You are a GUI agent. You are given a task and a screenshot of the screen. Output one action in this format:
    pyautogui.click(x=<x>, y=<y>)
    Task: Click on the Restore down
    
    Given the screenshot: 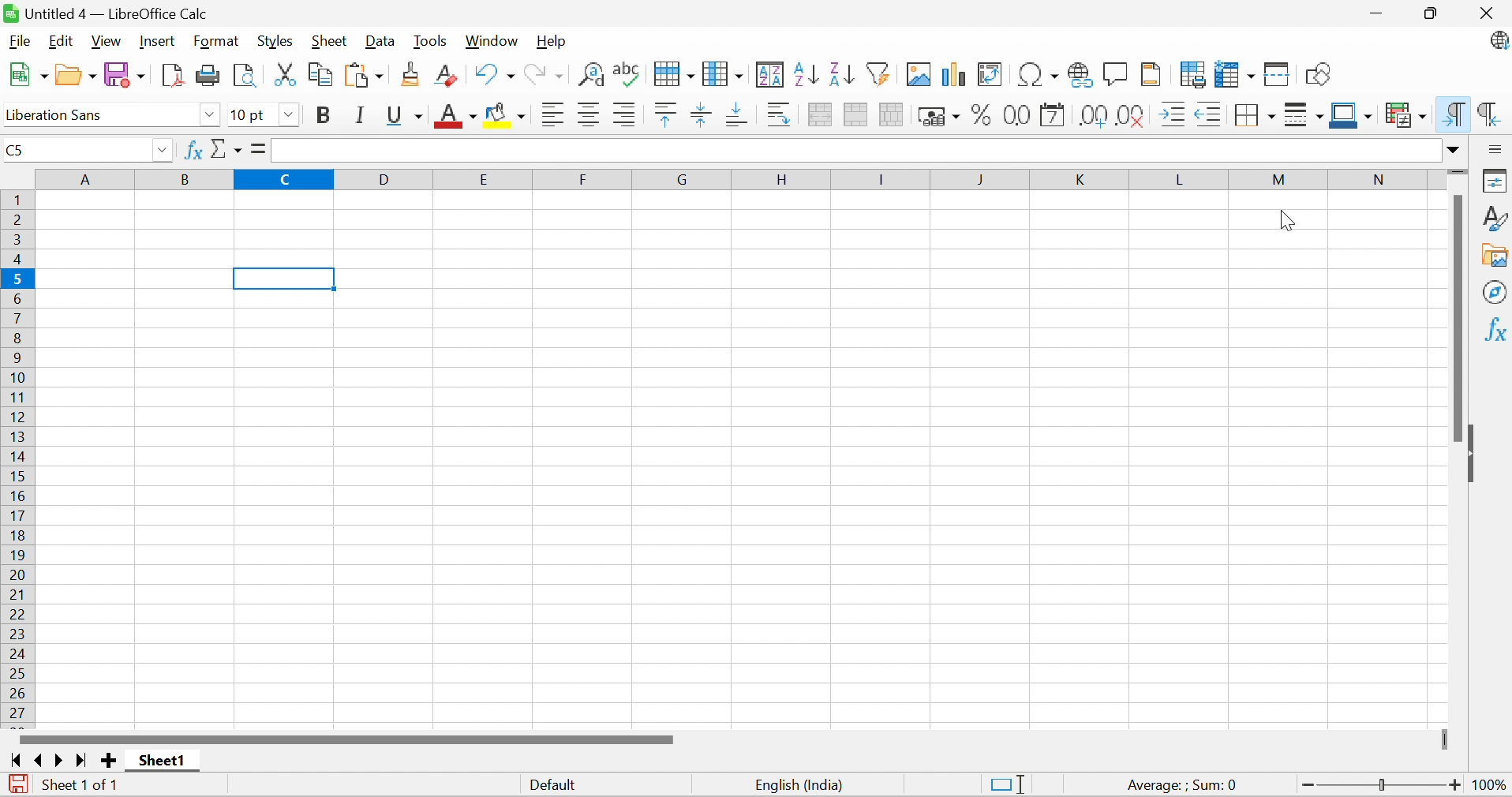 What is the action you would take?
    pyautogui.click(x=1435, y=15)
    